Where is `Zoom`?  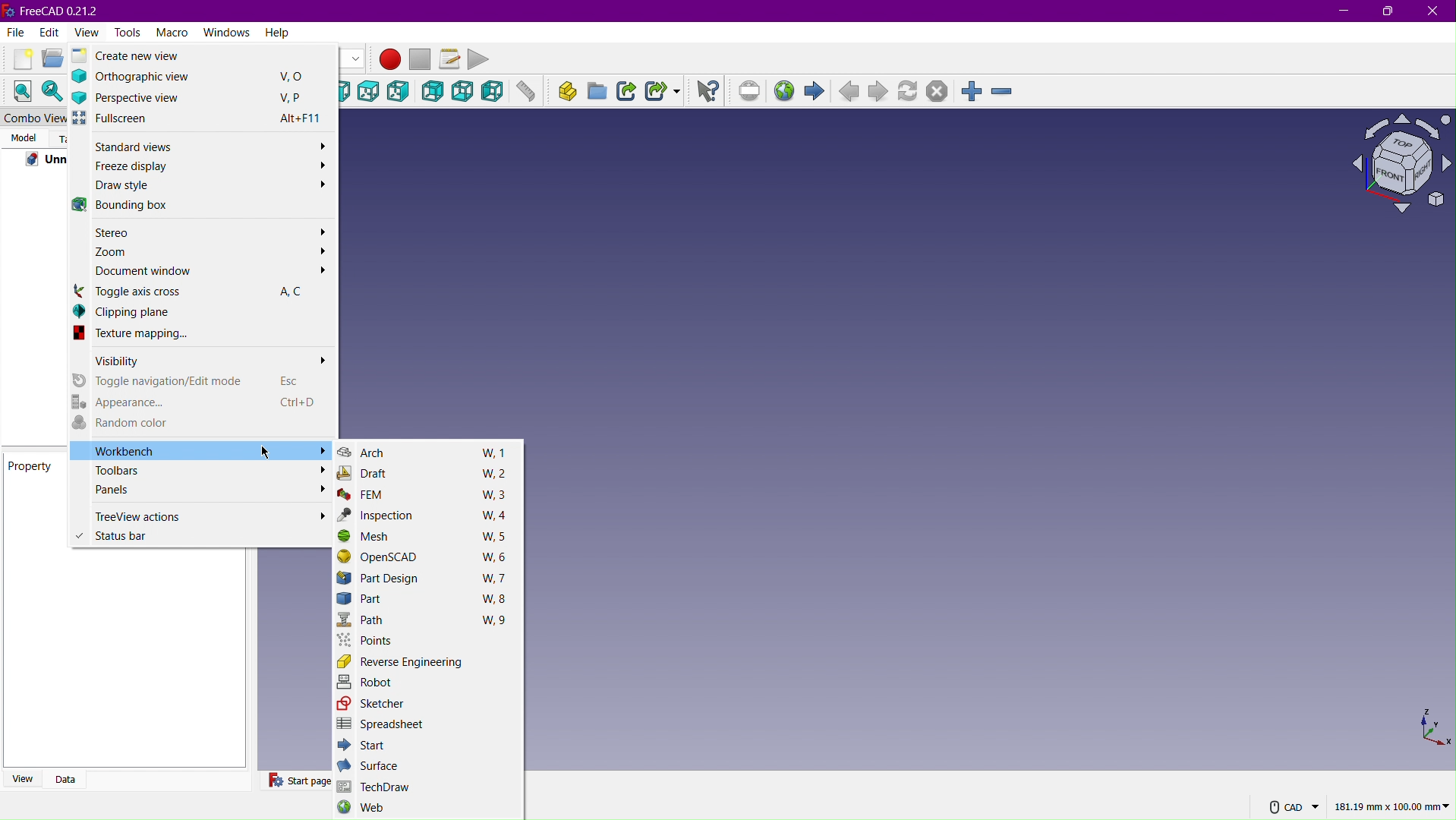 Zoom is located at coordinates (199, 255).